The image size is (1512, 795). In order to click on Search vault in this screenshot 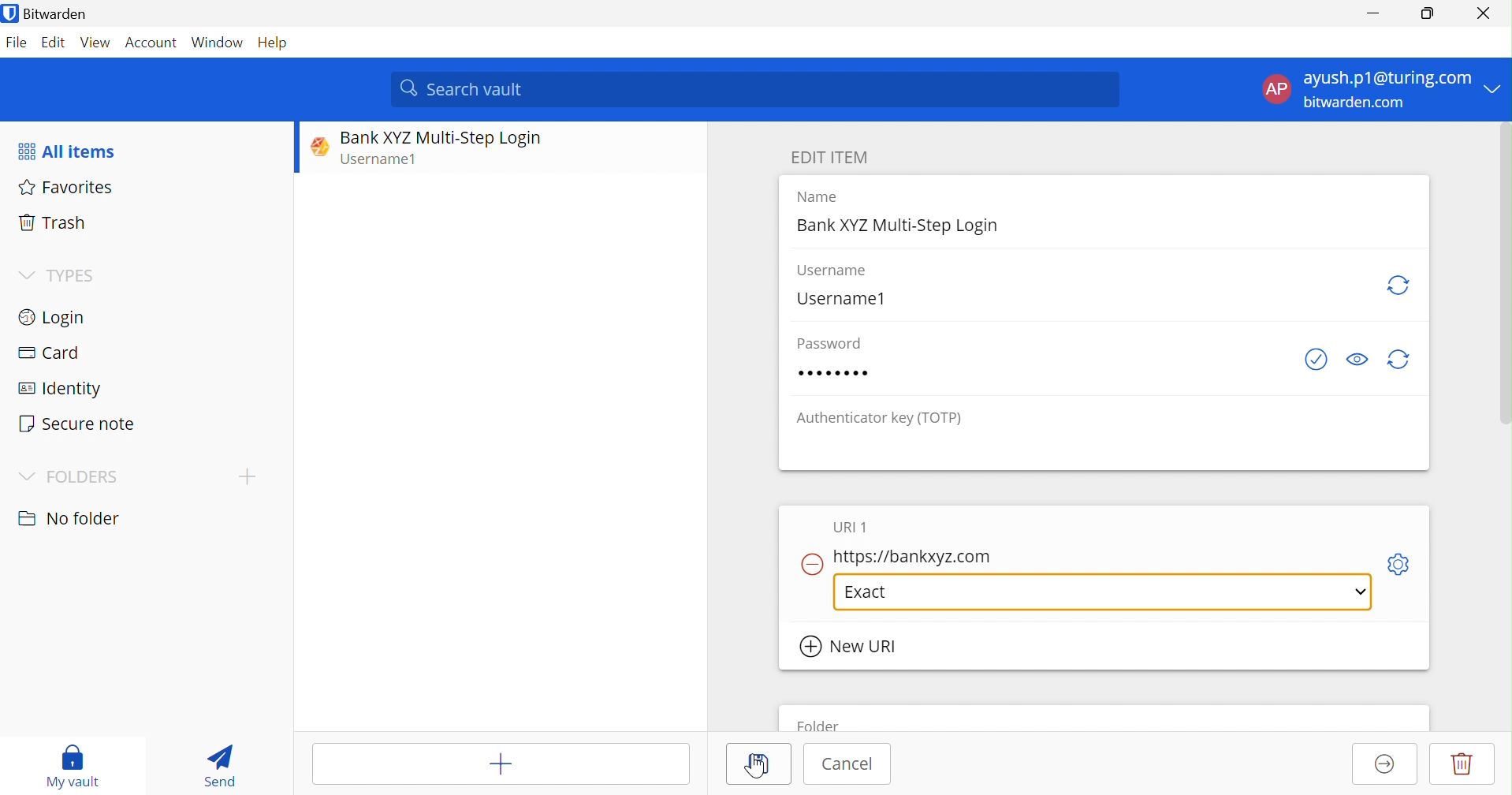, I will do `click(758, 88)`.